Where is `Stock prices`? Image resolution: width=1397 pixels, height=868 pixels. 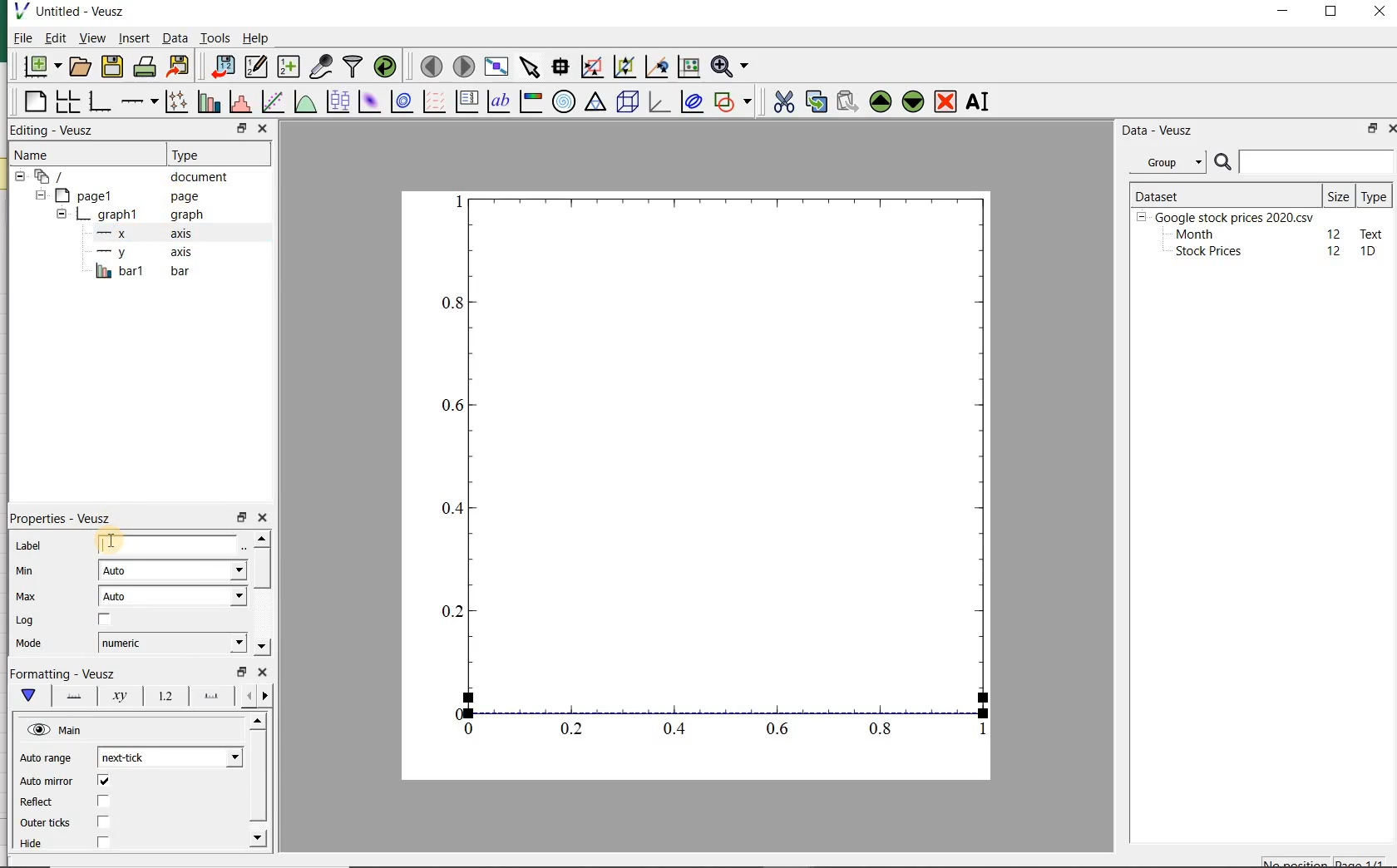
Stock prices is located at coordinates (1201, 252).